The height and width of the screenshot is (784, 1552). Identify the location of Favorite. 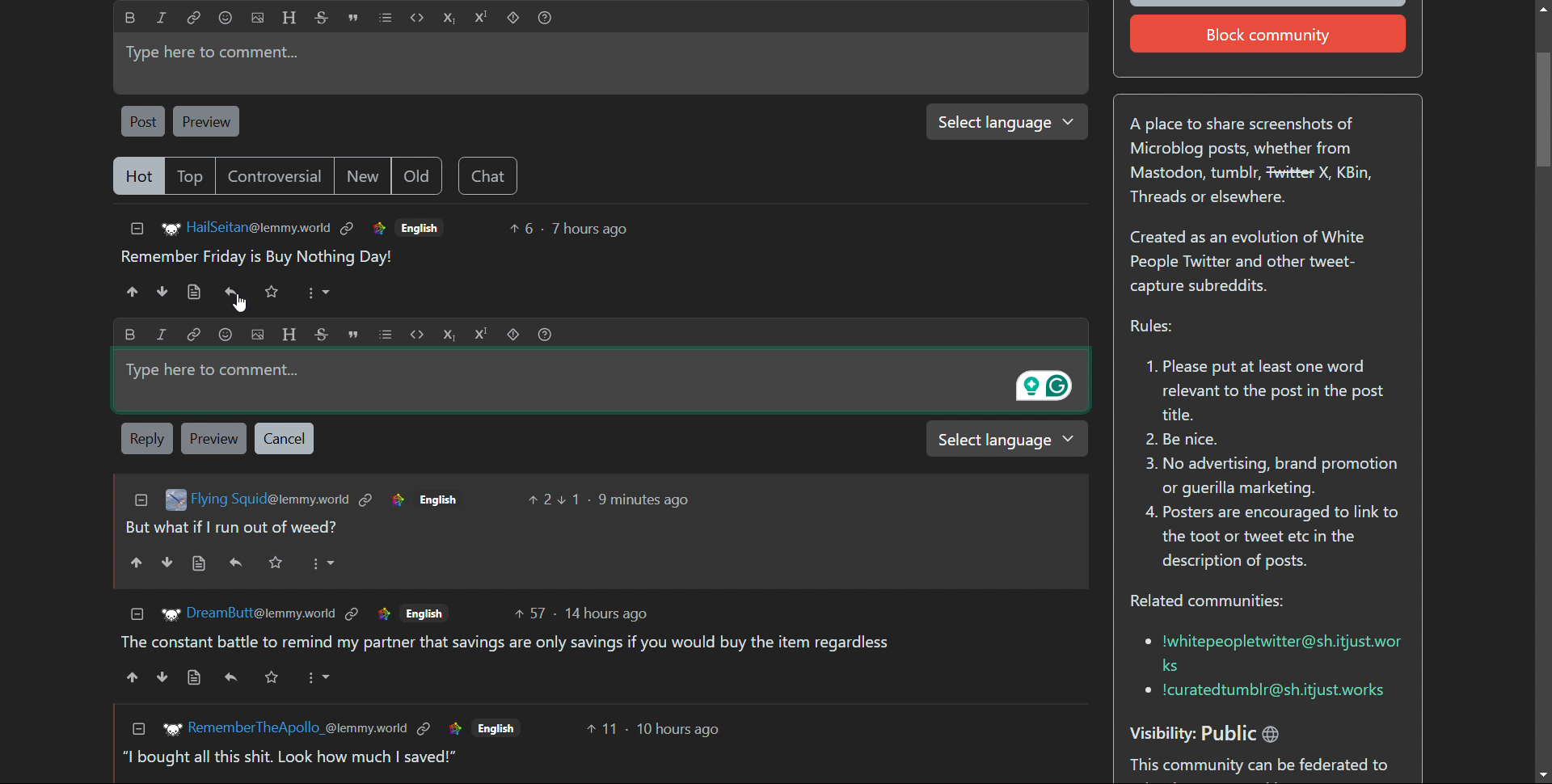
(280, 564).